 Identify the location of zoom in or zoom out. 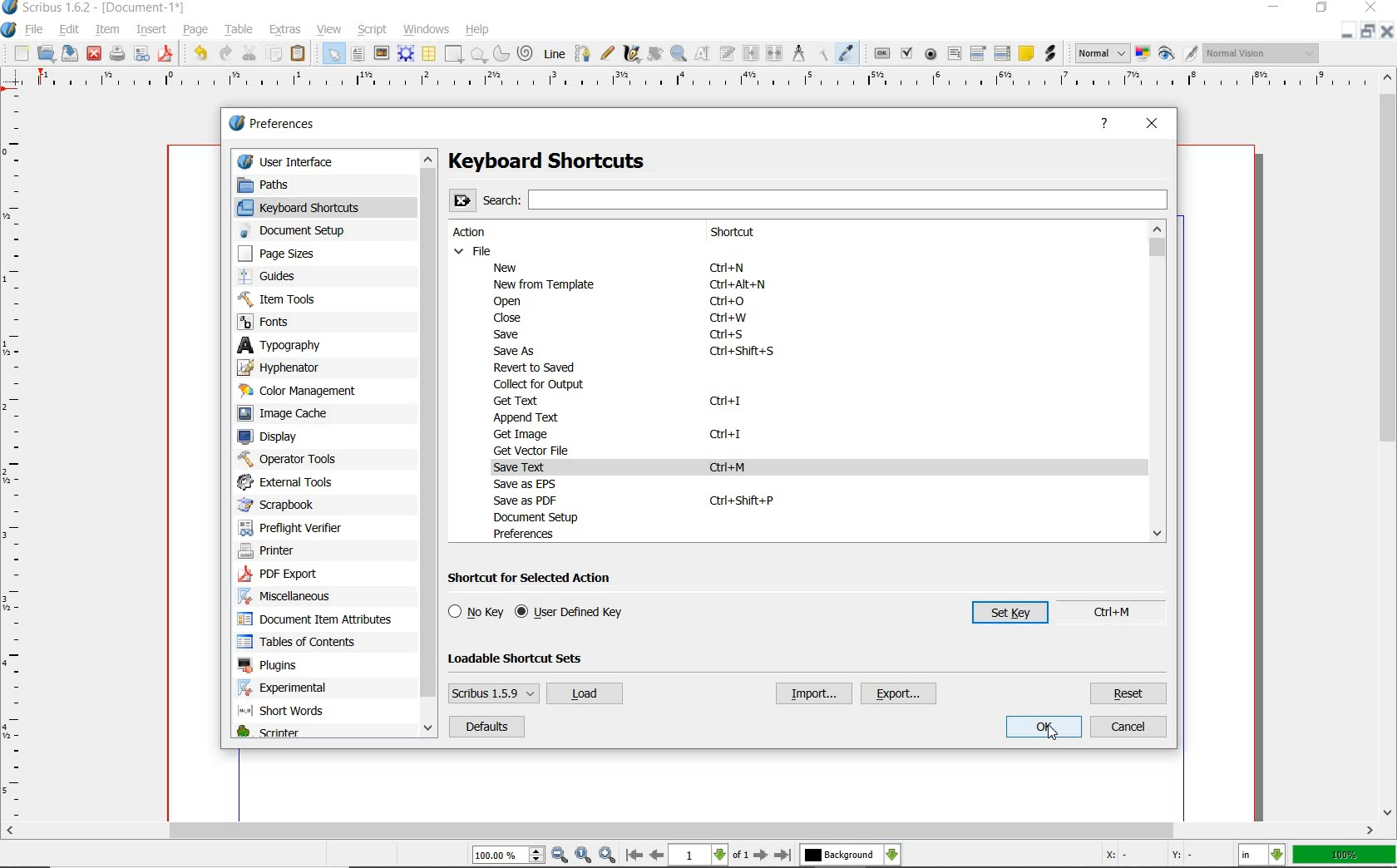
(679, 55).